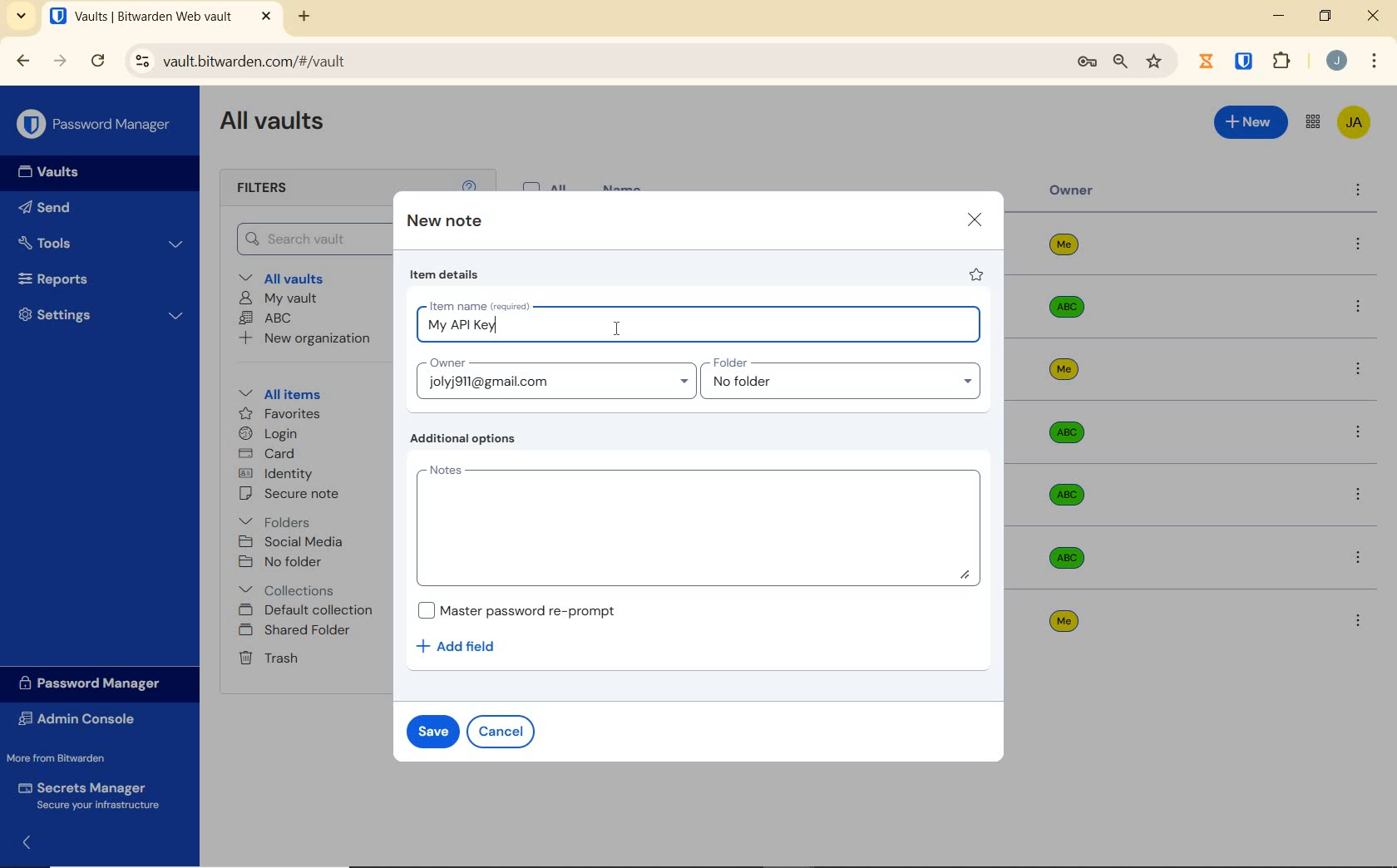 This screenshot has height=868, width=1397. I want to click on toggle between admin console and password manager, so click(1311, 122).